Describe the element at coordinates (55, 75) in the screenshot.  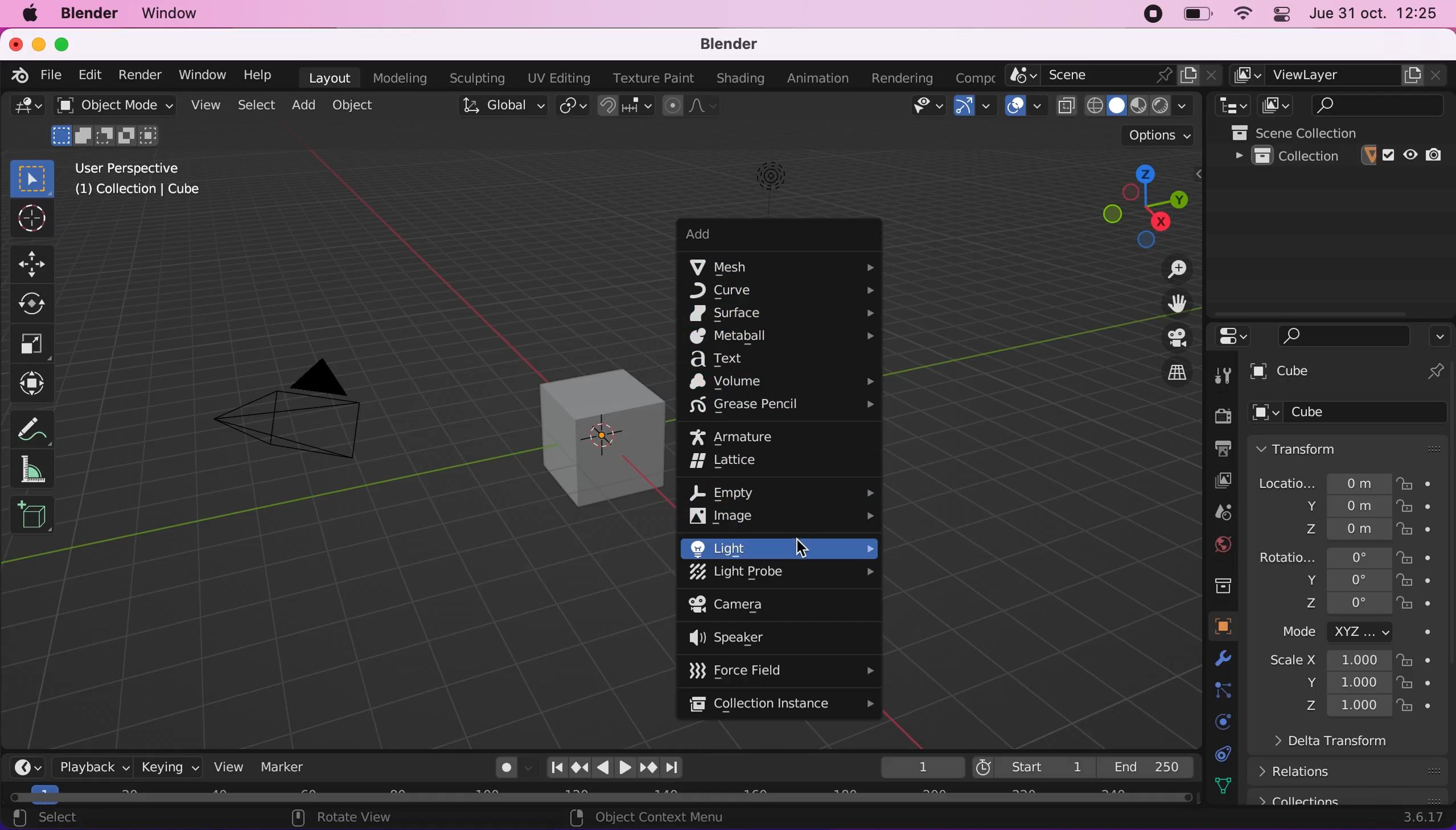
I see `file` at that location.